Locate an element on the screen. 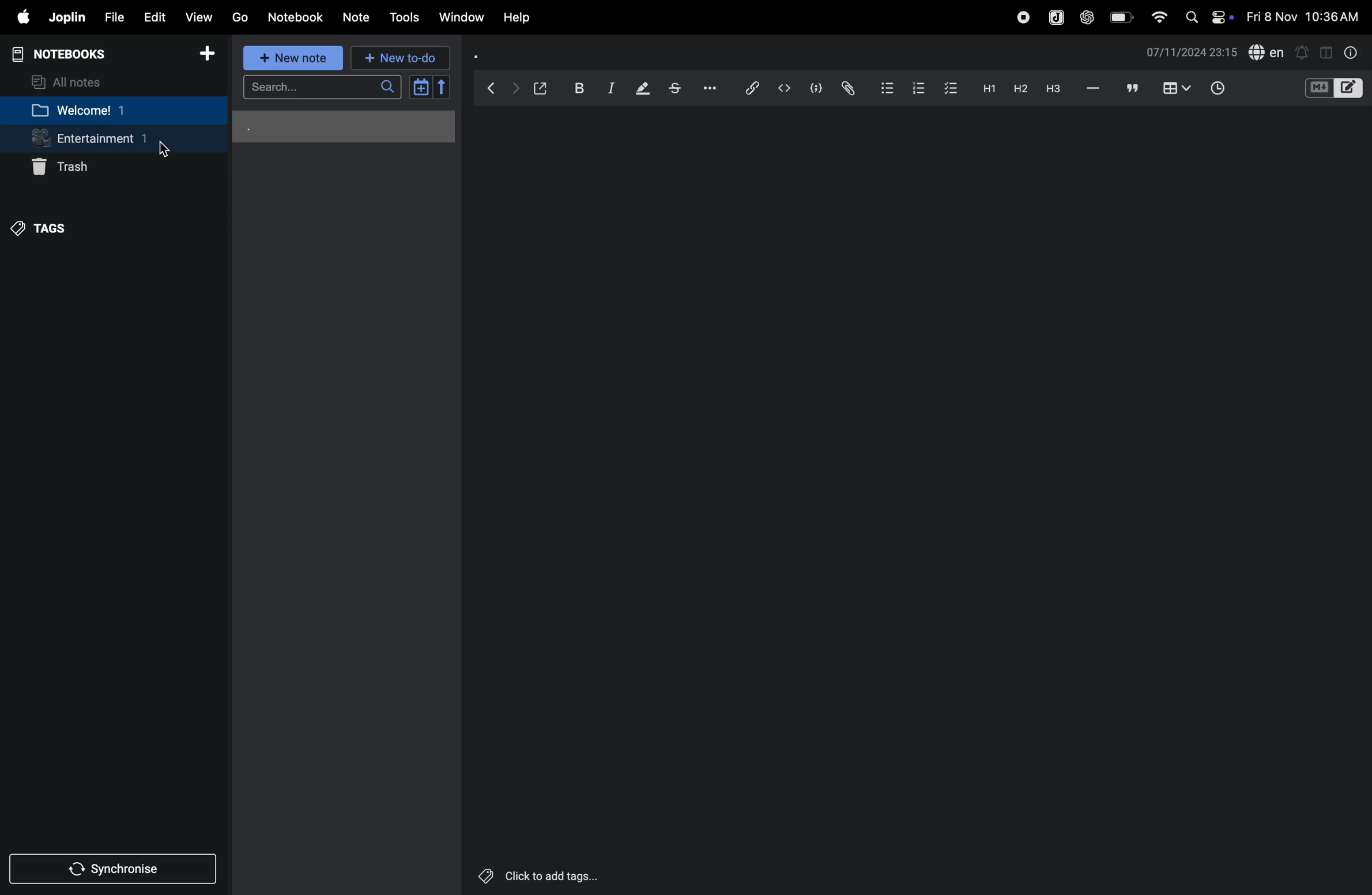 This screenshot has height=895, width=1372. toggle editors is located at coordinates (1335, 87).